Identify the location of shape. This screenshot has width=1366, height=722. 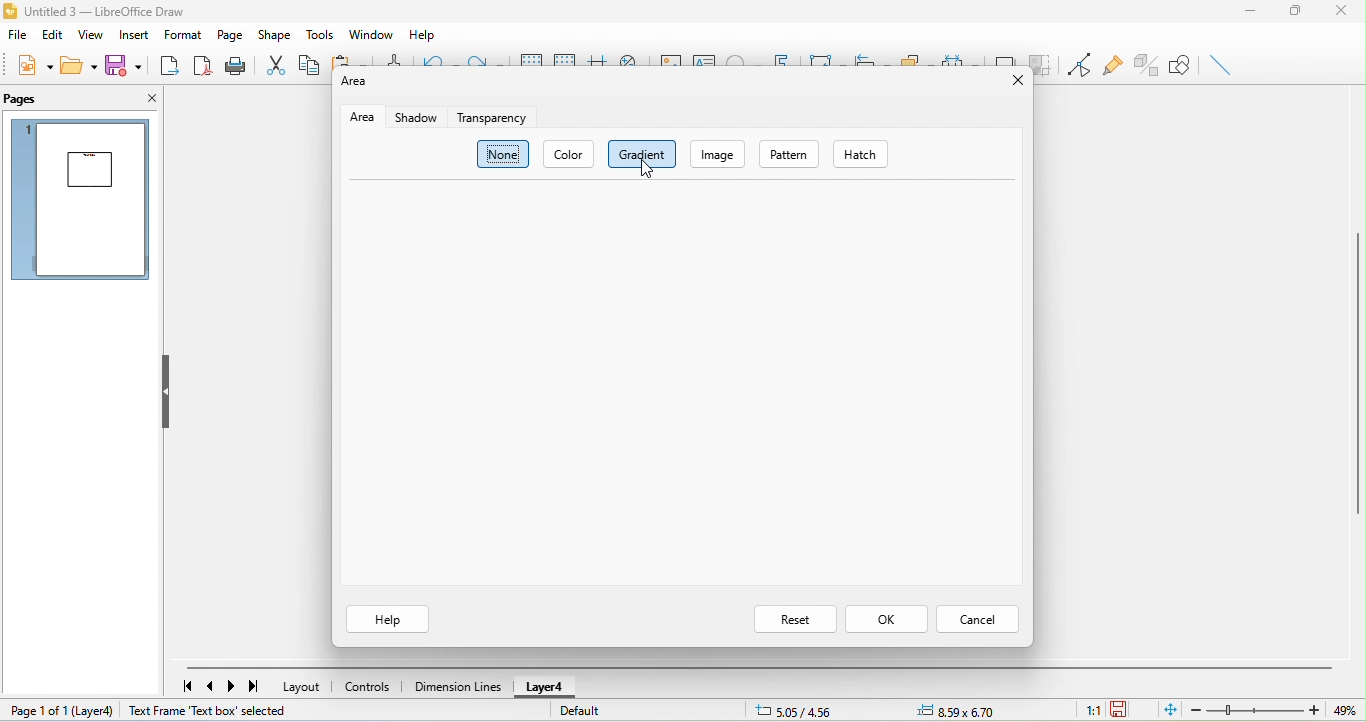
(273, 33).